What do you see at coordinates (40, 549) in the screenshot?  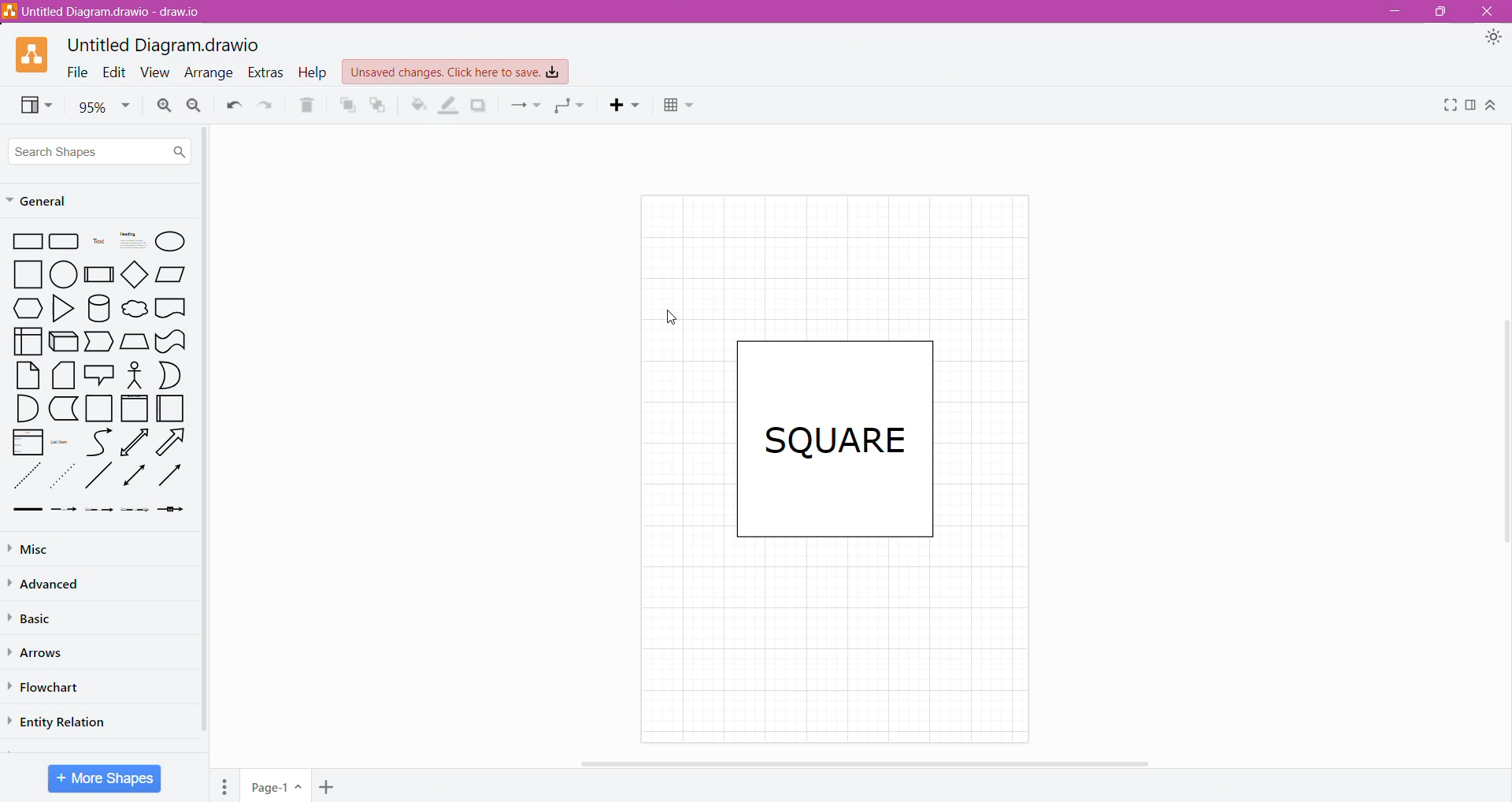 I see `Misc` at bounding box center [40, 549].